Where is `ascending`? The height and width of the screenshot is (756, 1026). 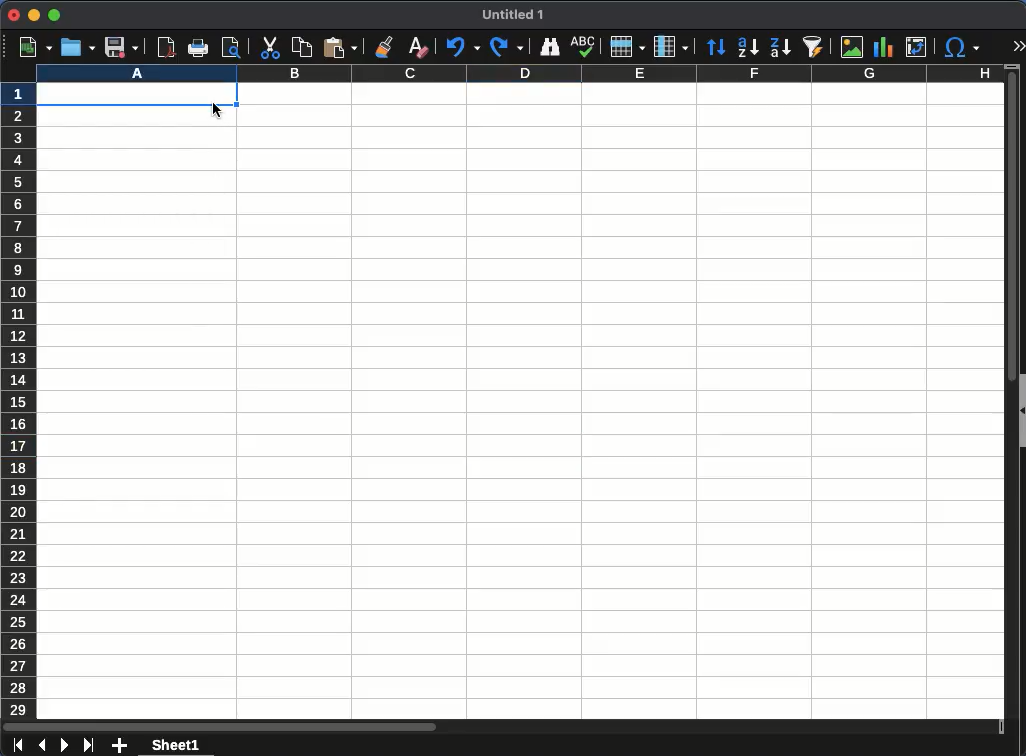 ascending is located at coordinates (747, 49).